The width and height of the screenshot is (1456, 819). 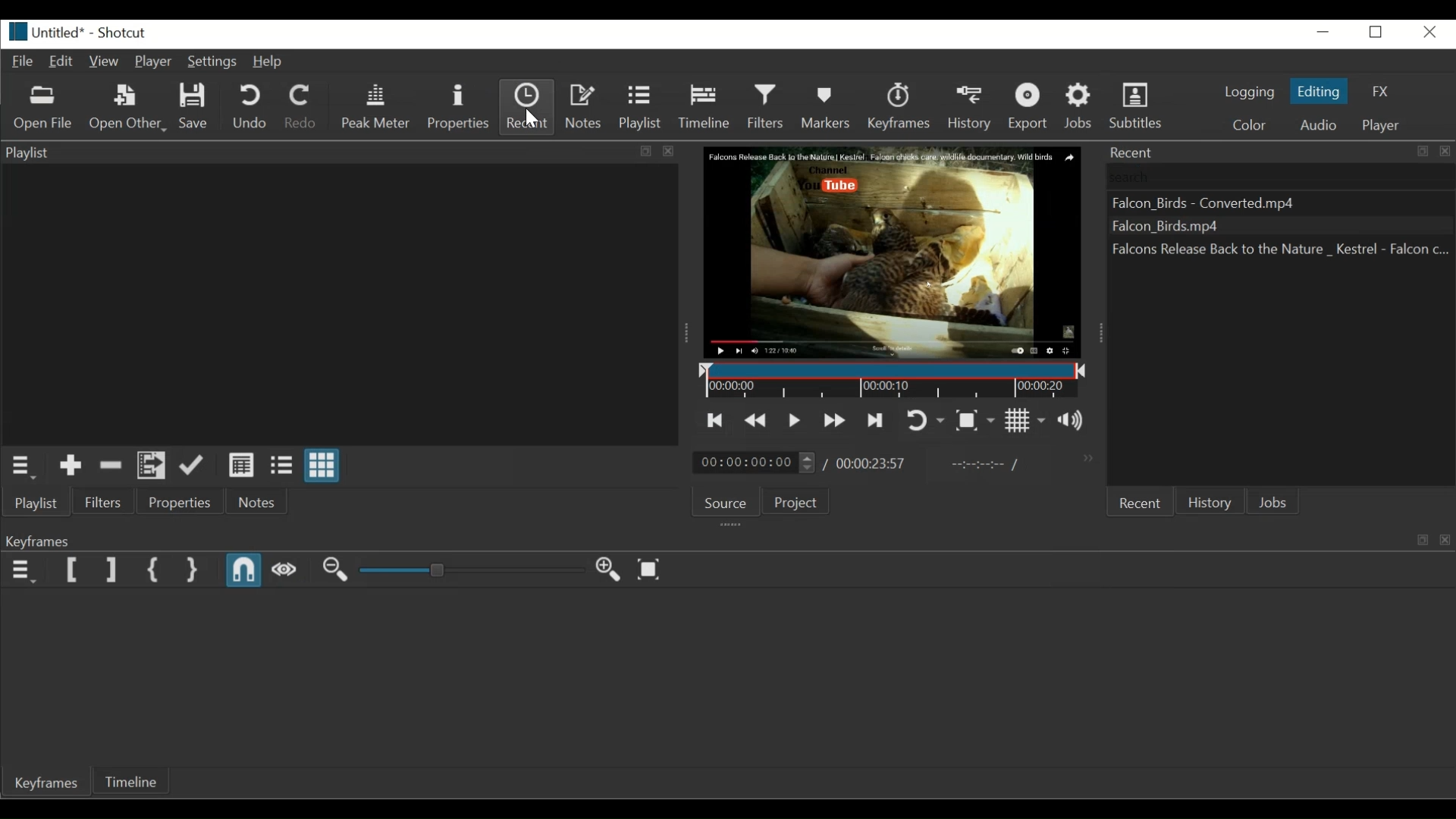 I want to click on Playlist, so click(x=35, y=504).